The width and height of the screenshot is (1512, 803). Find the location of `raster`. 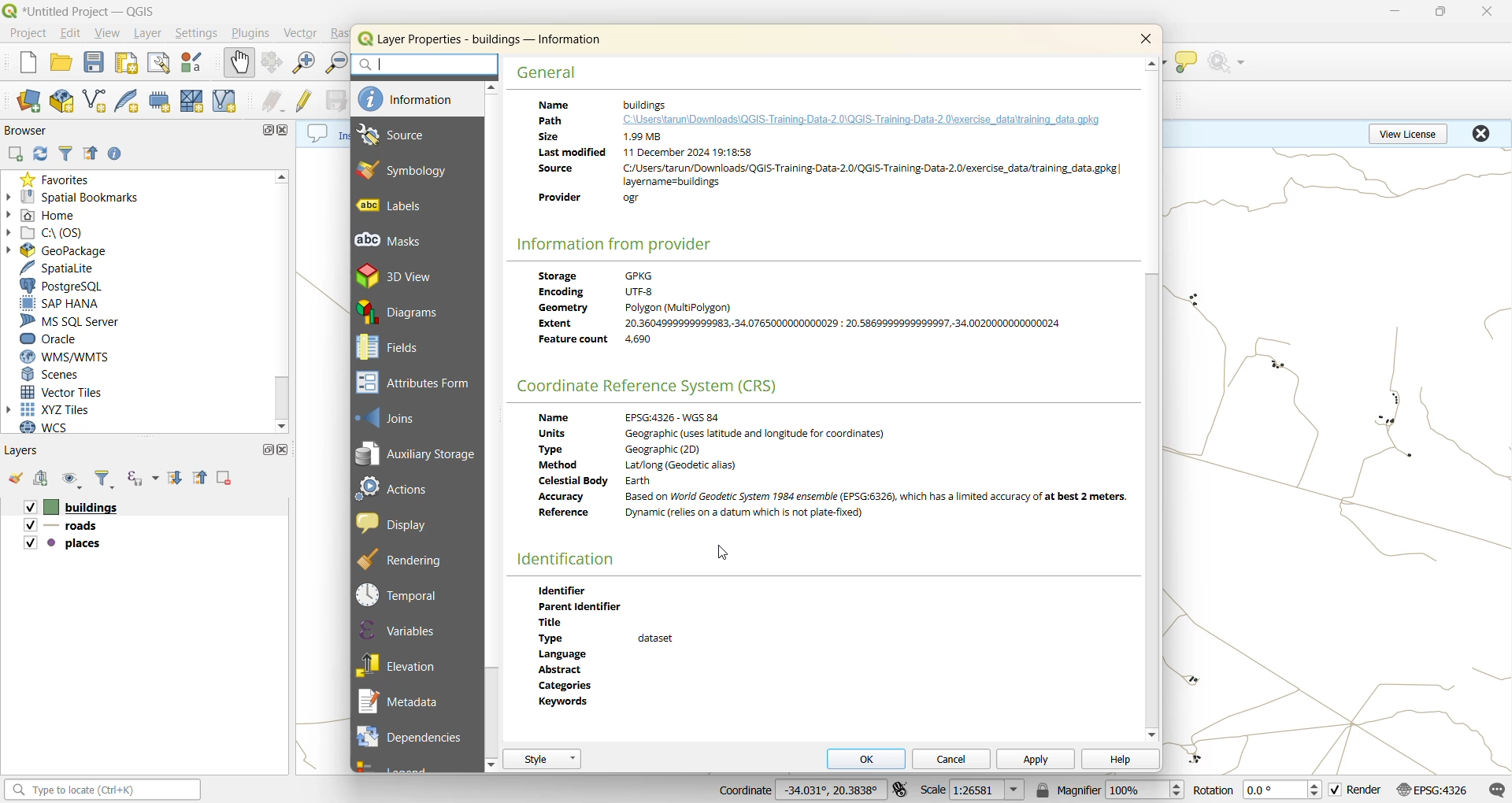

raster is located at coordinates (339, 35).